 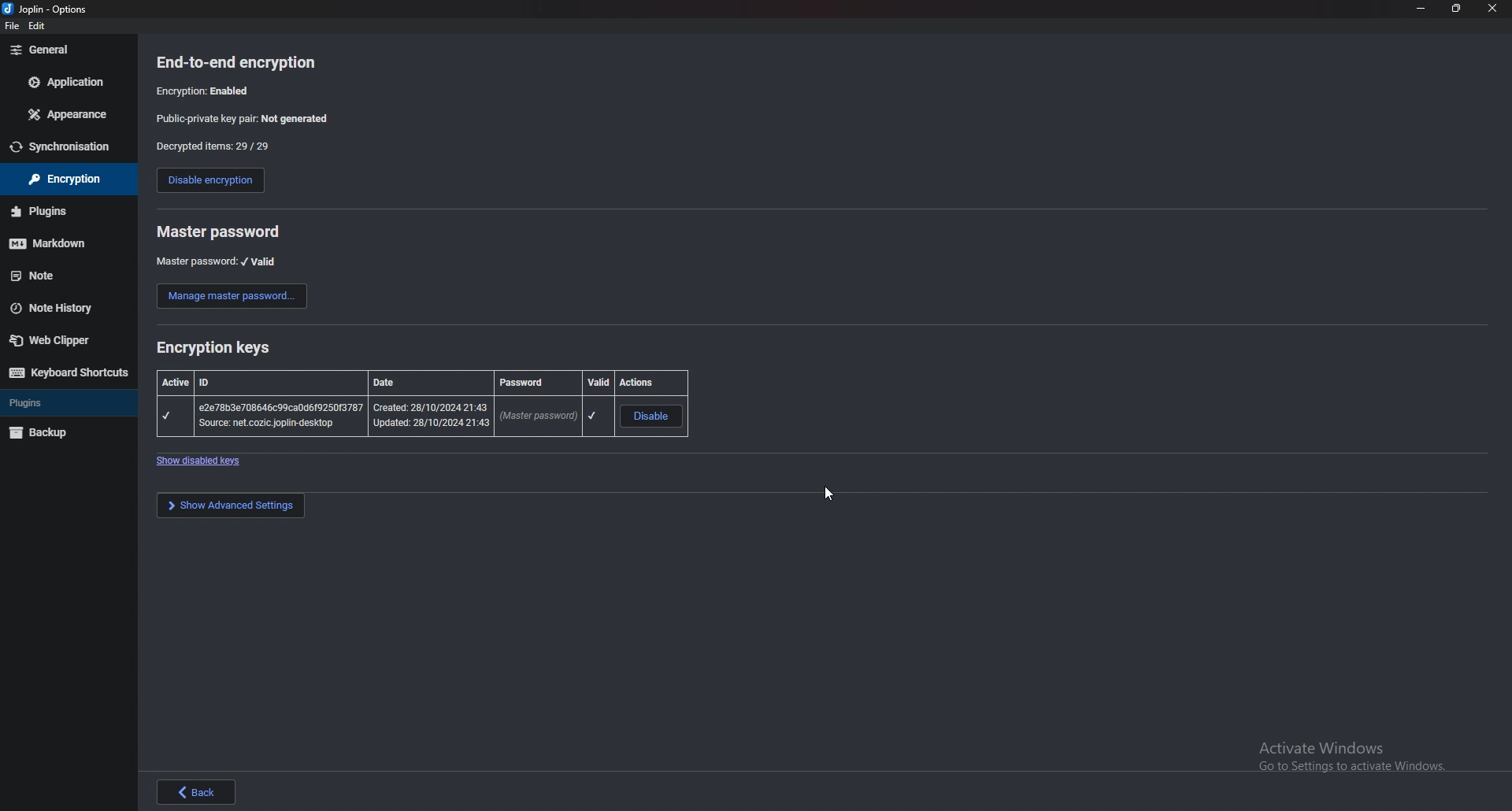 I want to click on master password valid, so click(x=218, y=261).